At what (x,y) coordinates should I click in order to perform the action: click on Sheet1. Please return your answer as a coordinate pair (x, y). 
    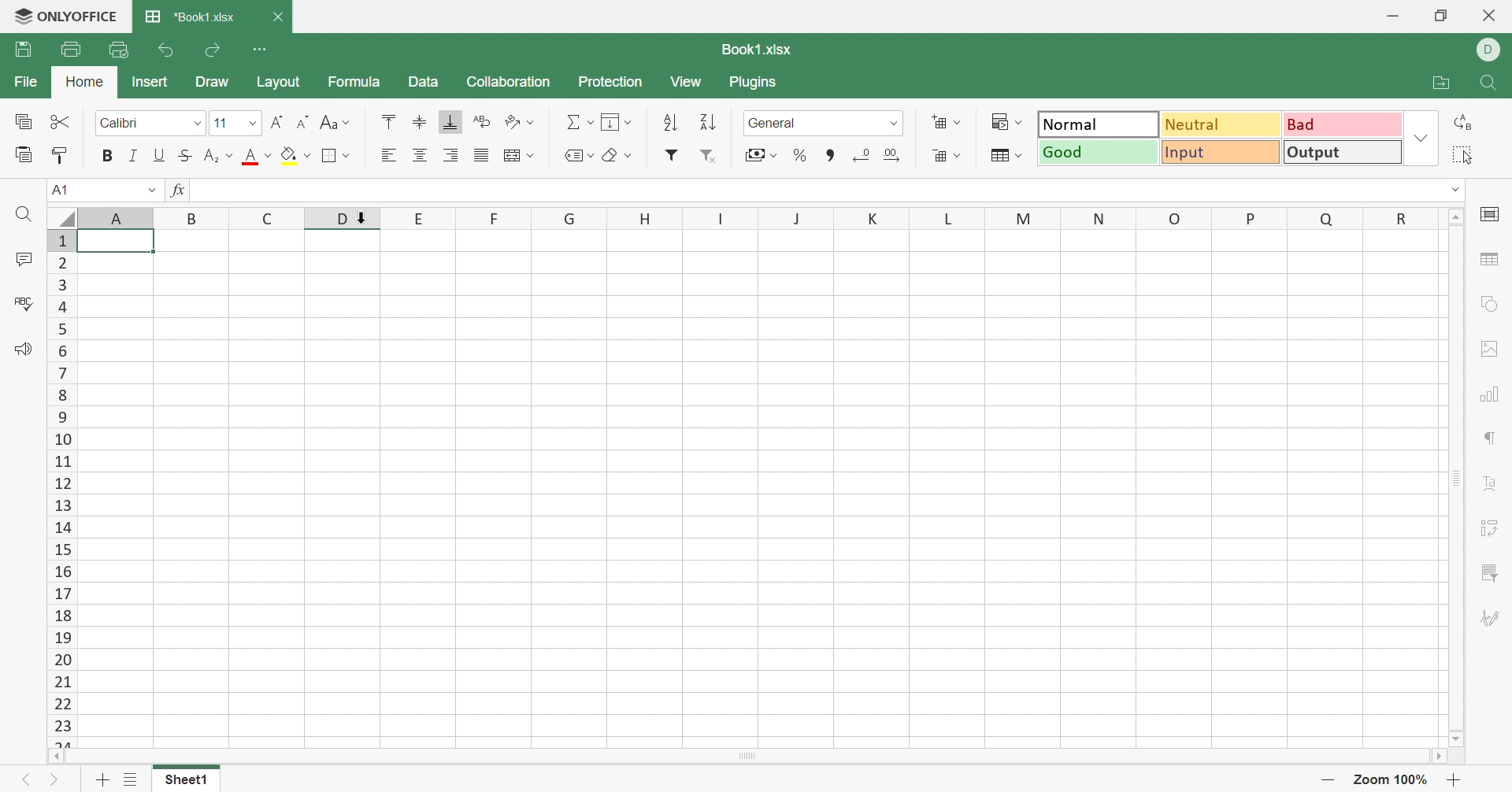
    Looking at the image, I should click on (187, 781).